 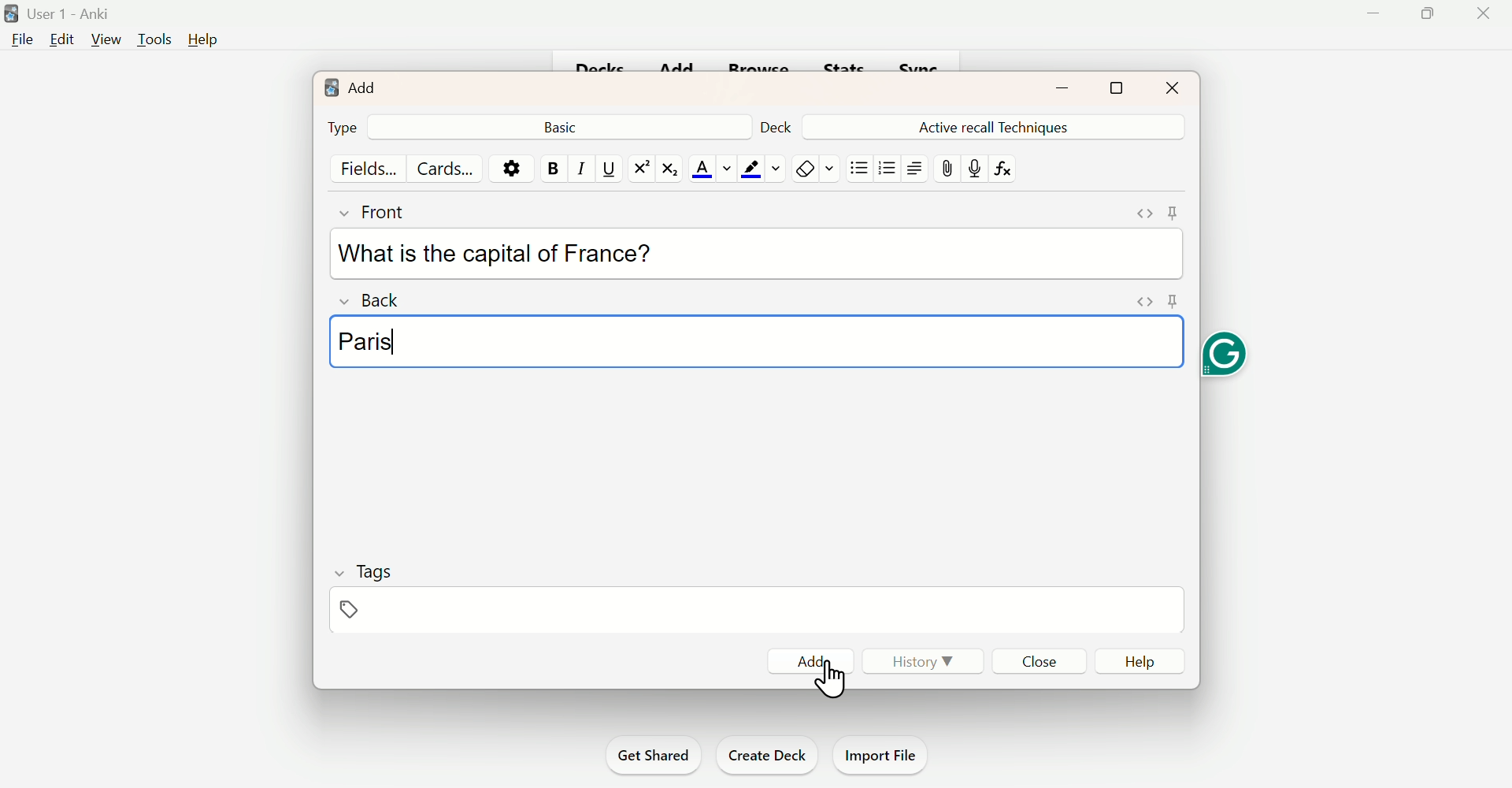 What do you see at coordinates (1126, 87) in the screenshot?
I see `Maximise` at bounding box center [1126, 87].